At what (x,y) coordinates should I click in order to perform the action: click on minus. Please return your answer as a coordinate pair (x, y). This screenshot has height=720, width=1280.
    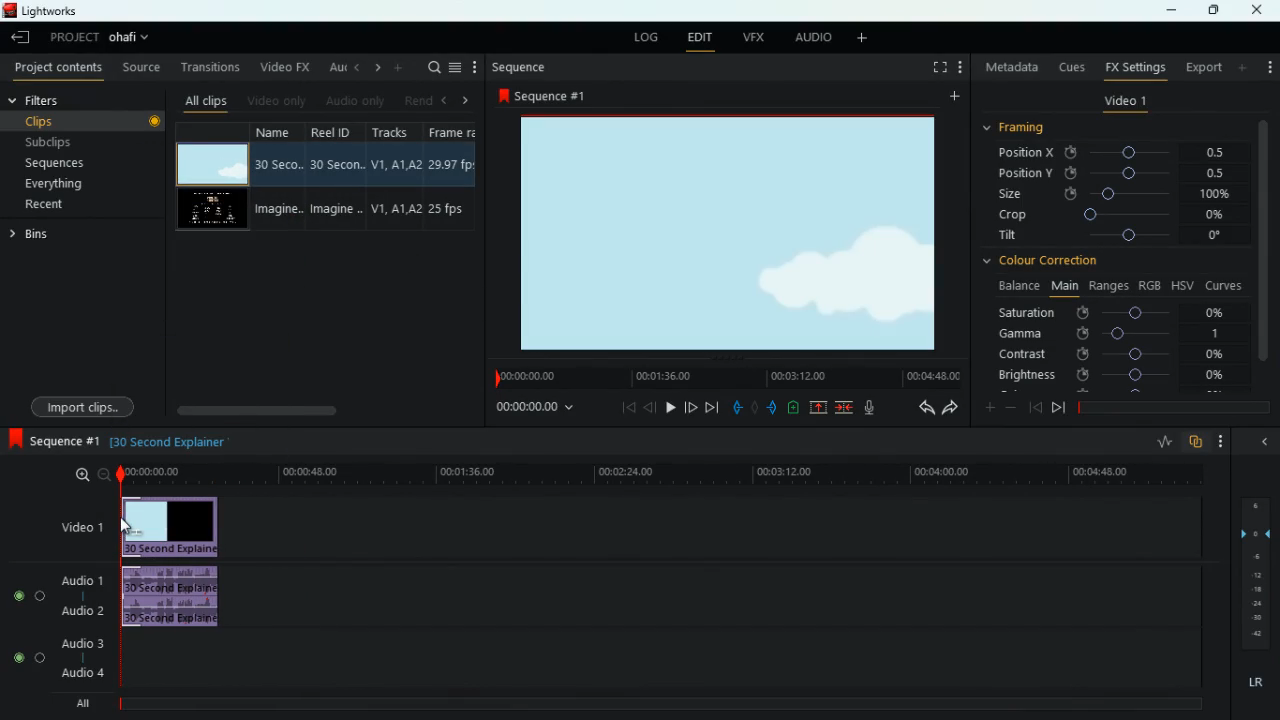
    Looking at the image, I should click on (1011, 407).